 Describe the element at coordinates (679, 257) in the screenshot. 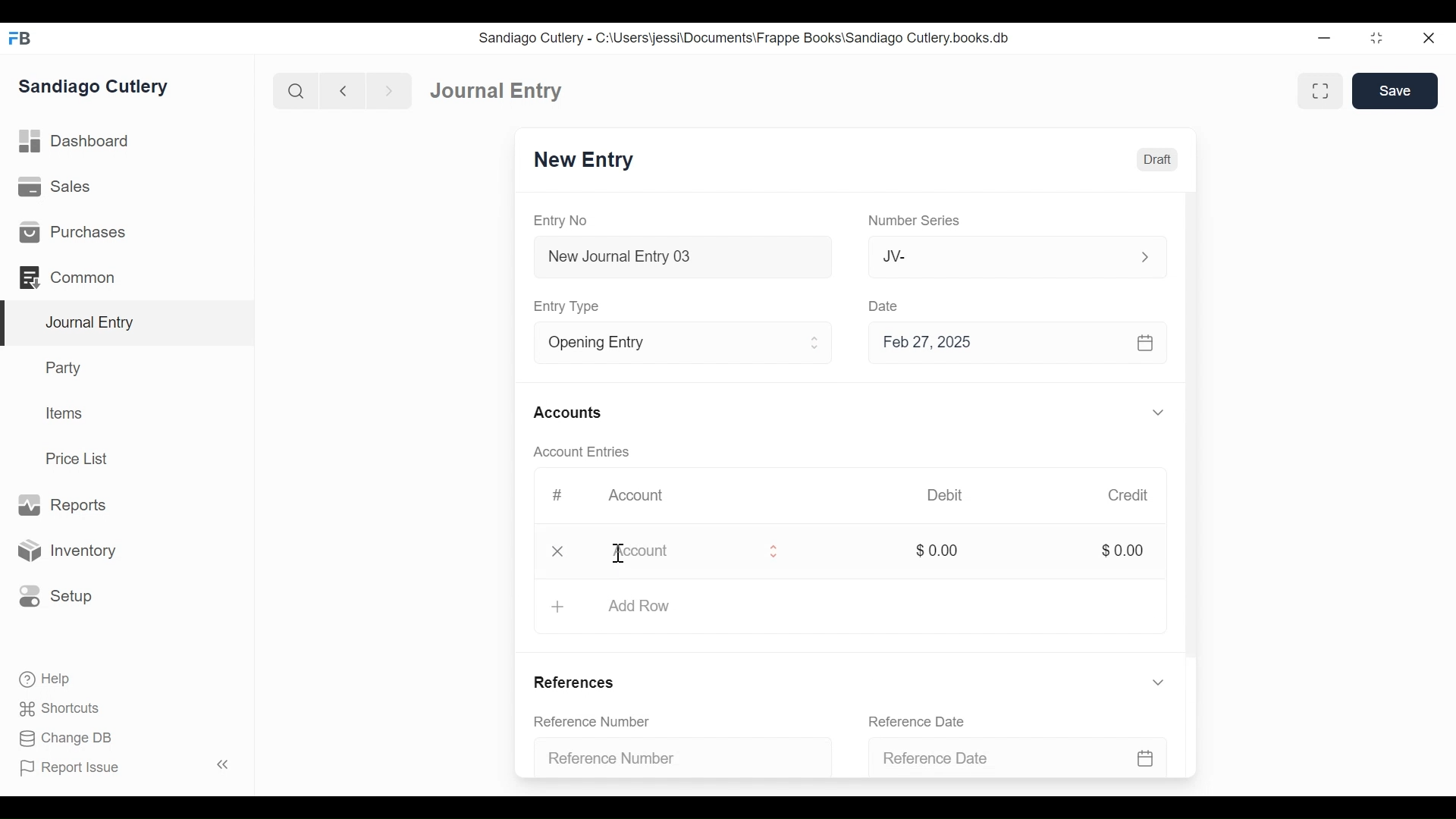

I see `New Journal Entry 03` at that location.